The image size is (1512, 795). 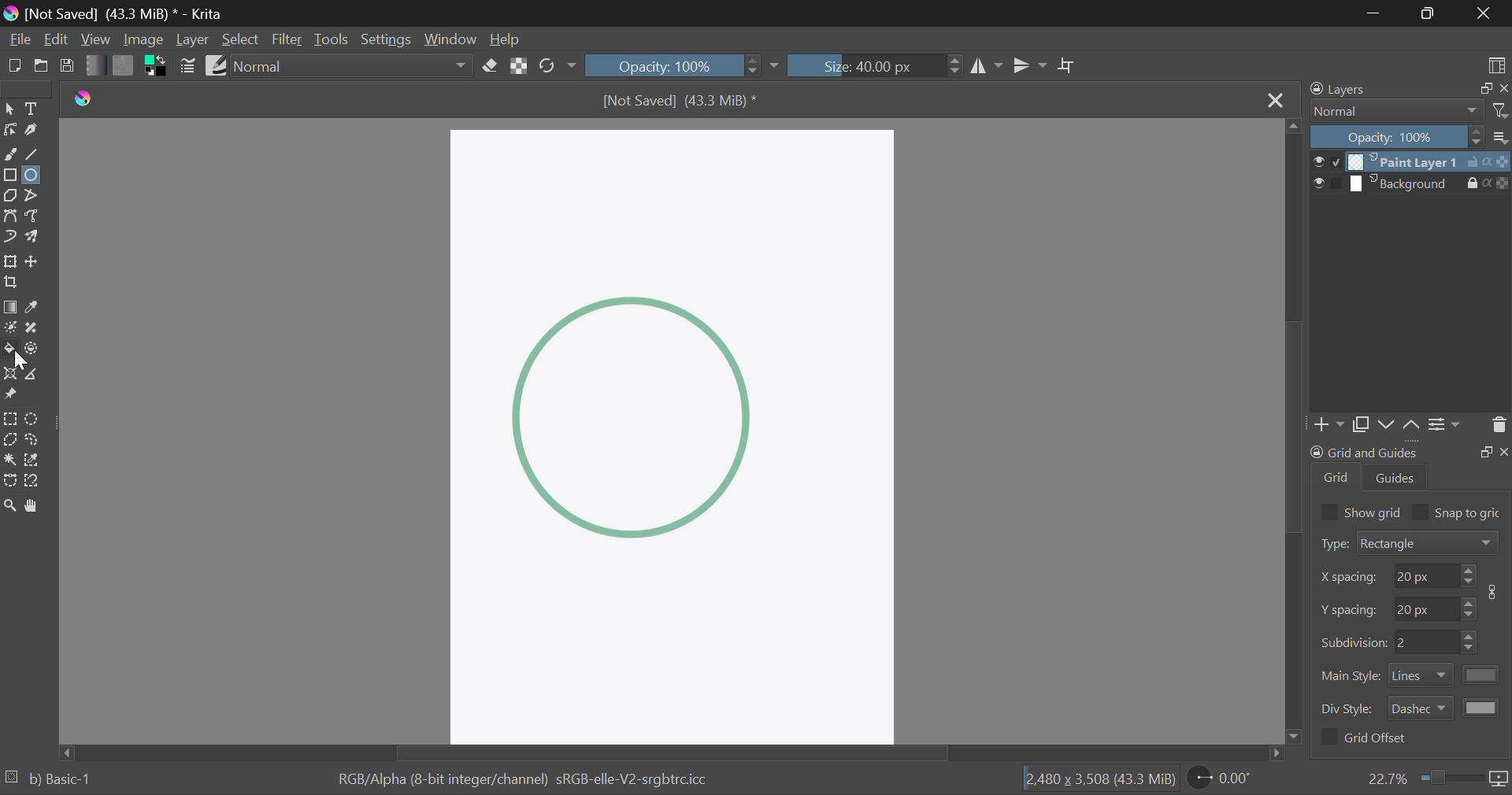 I want to click on Magnetic Selection, so click(x=35, y=480).